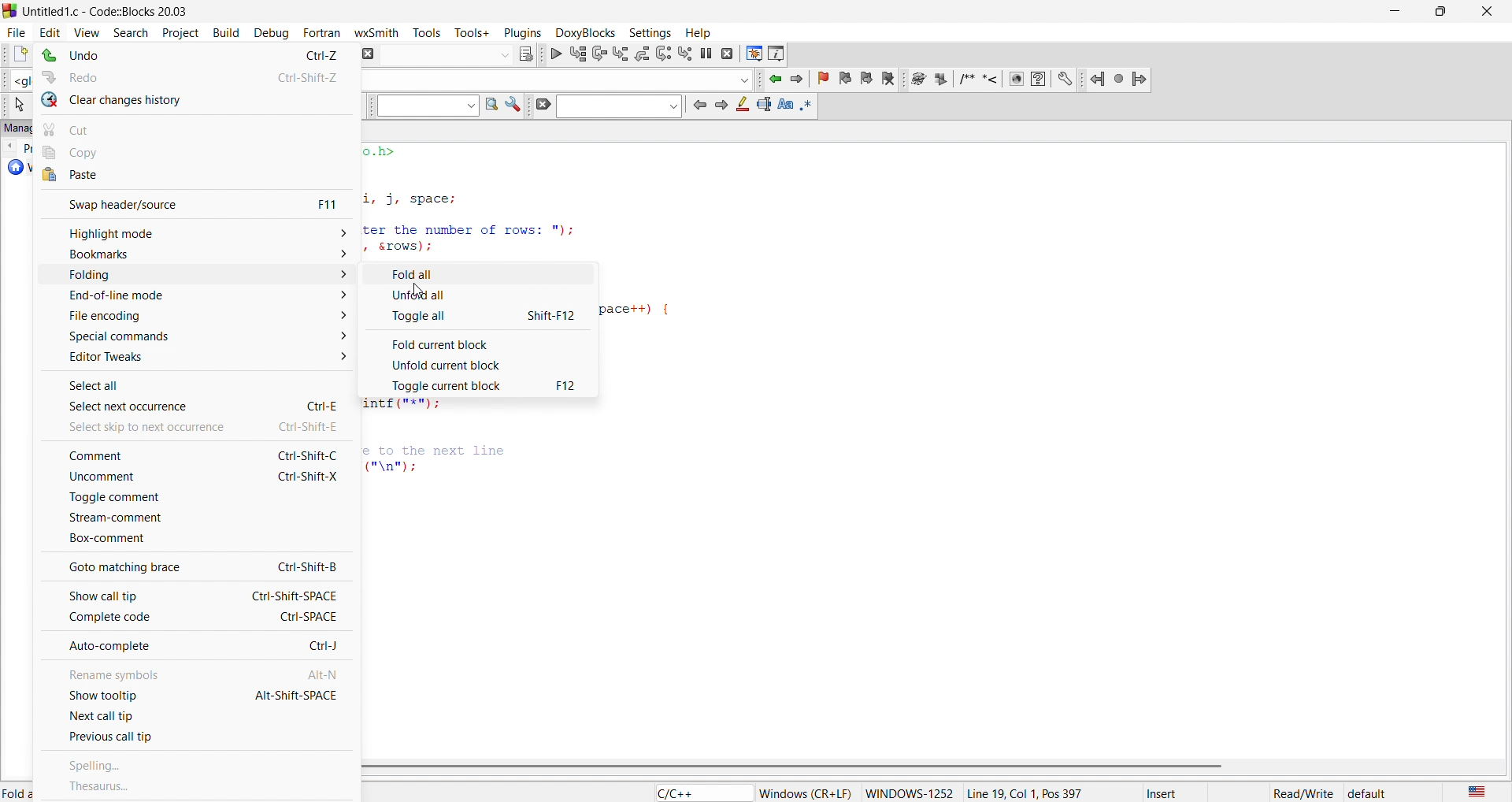 The width and height of the screenshot is (1512, 802). What do you see at coordinates (195, 647) in the screenshot?
I see `auto complete` at bounding box center [195, 647].